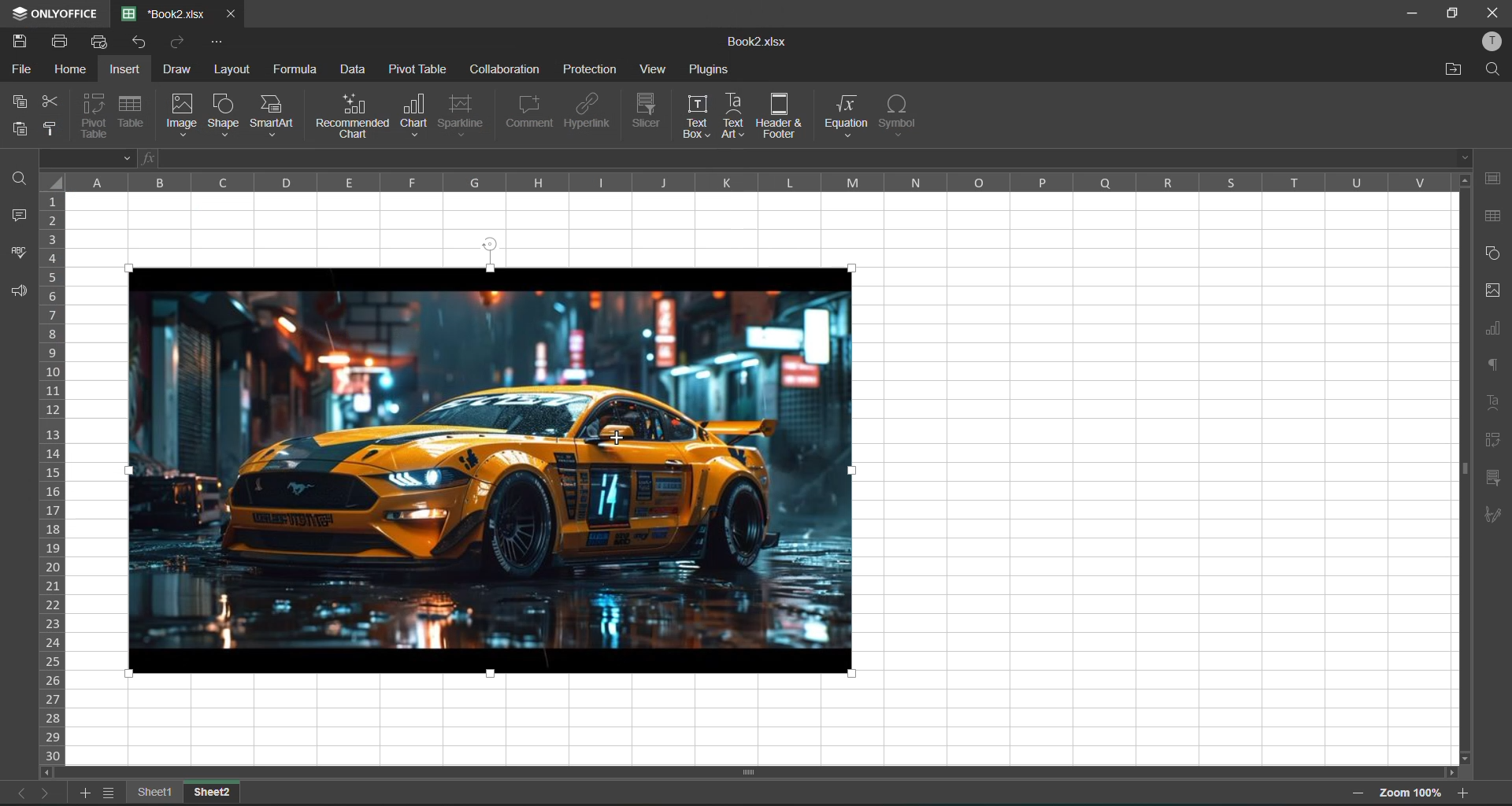  Describe the element at coordinates (55, 479) in the screenshot. I see `row numbers` at that location.